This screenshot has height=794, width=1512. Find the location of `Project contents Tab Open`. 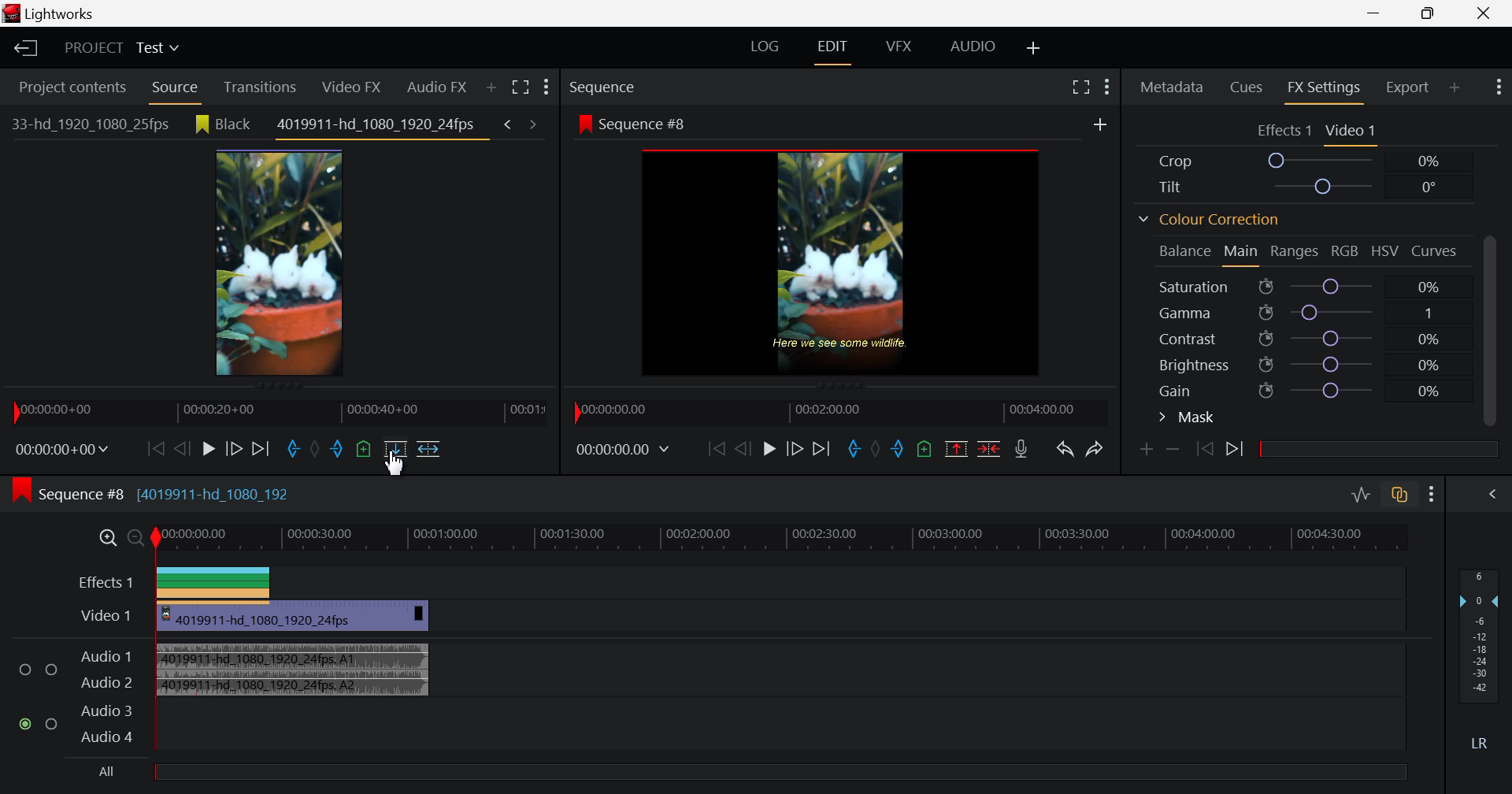

Project contents Tab Open is located at coordinates (68, 88).